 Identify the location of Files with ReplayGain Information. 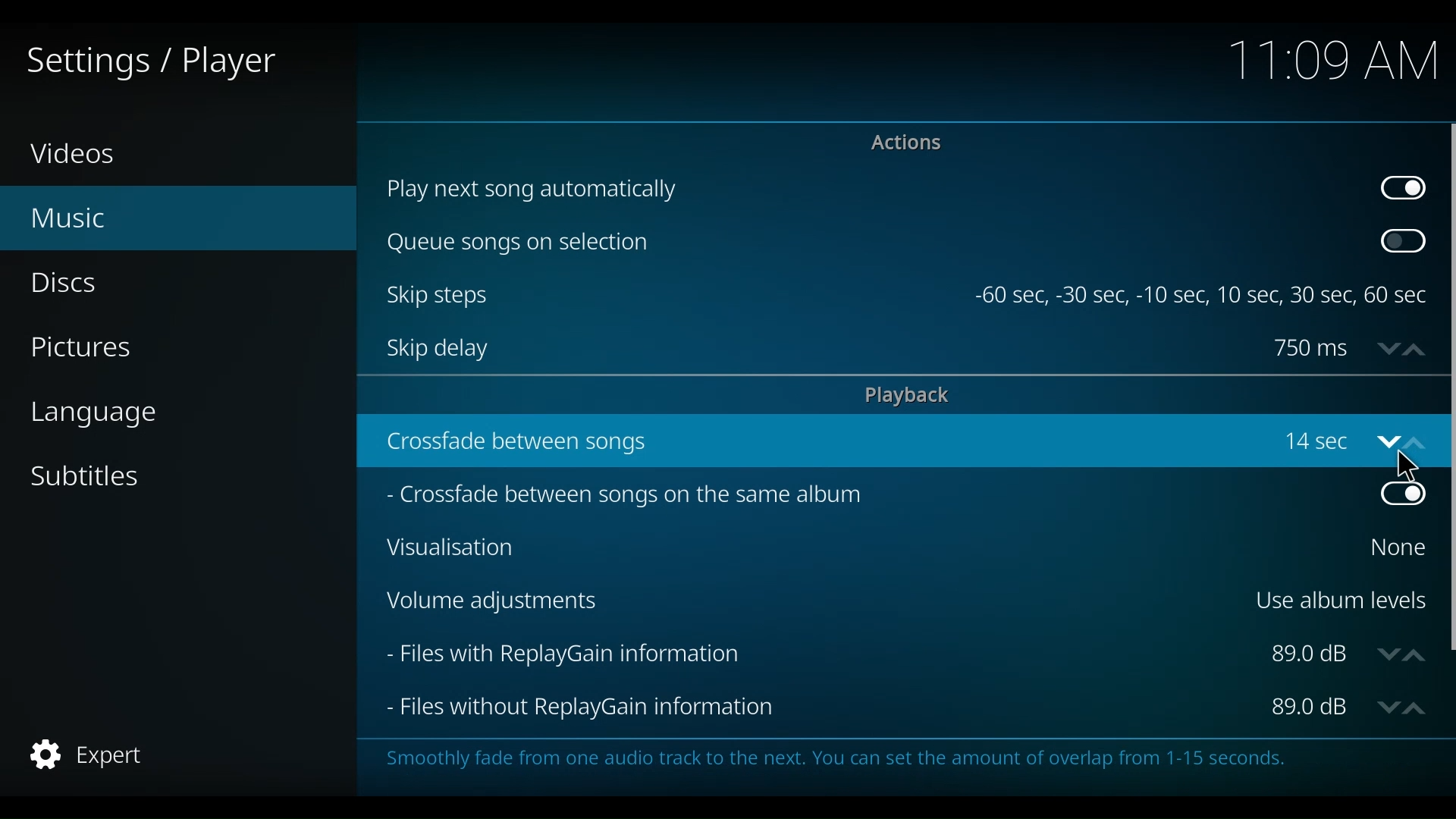
(817, 654).